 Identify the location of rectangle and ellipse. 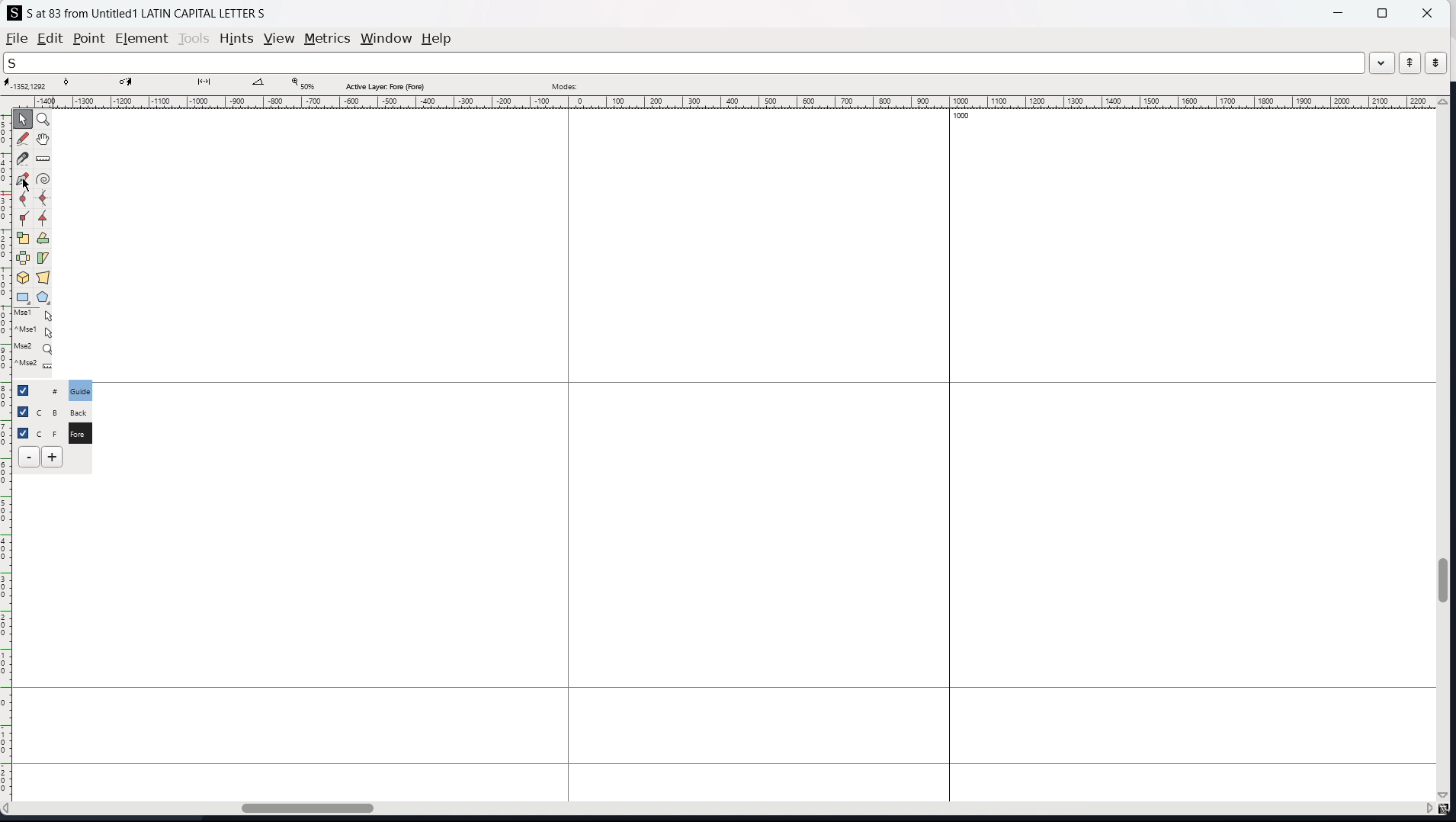
(24, 298).